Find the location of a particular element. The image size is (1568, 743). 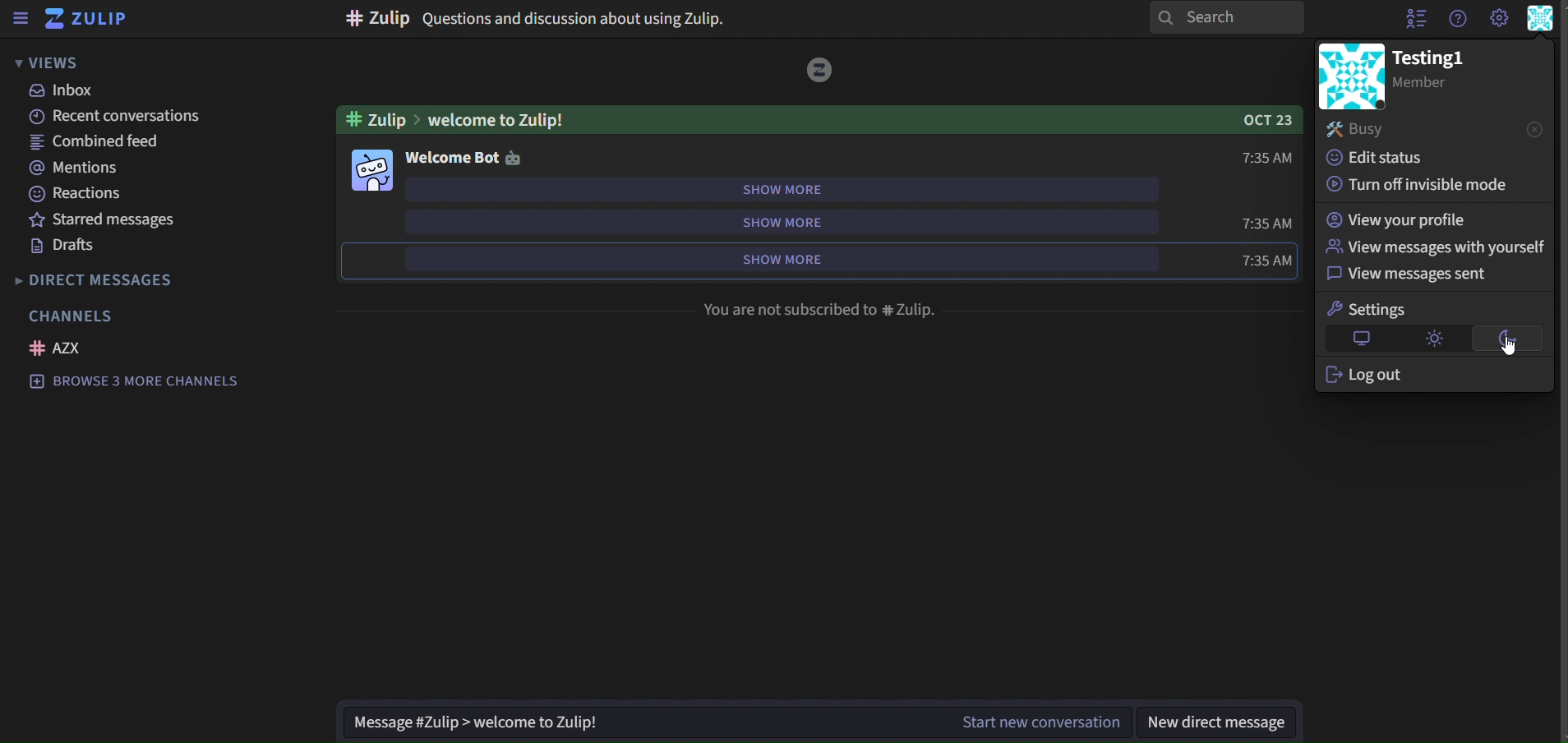

time is located at coordinates (1266, 260).